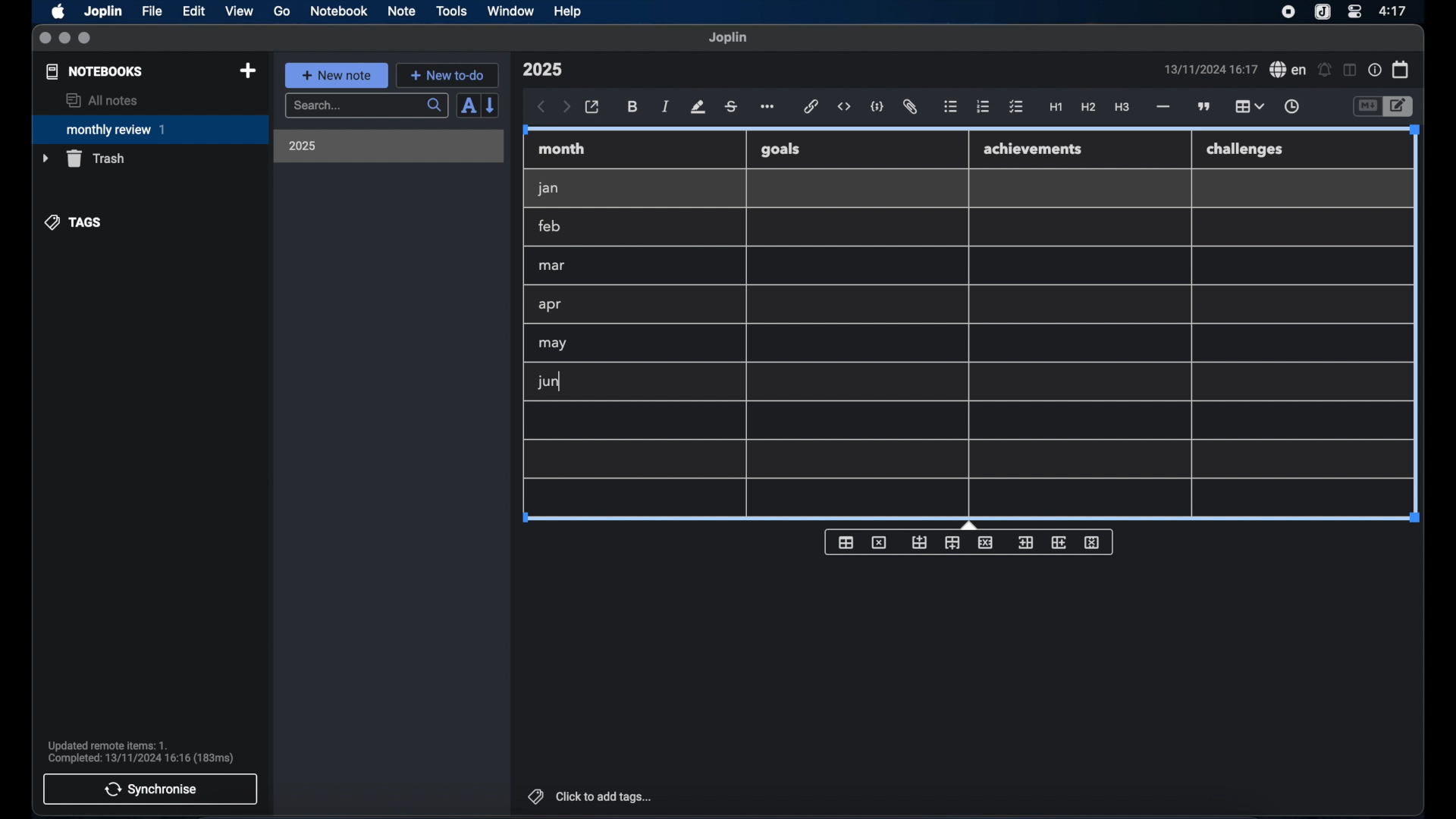 The height and width of the screenshot is (819, 1456). I want to click on 2025, so click(303, 146).